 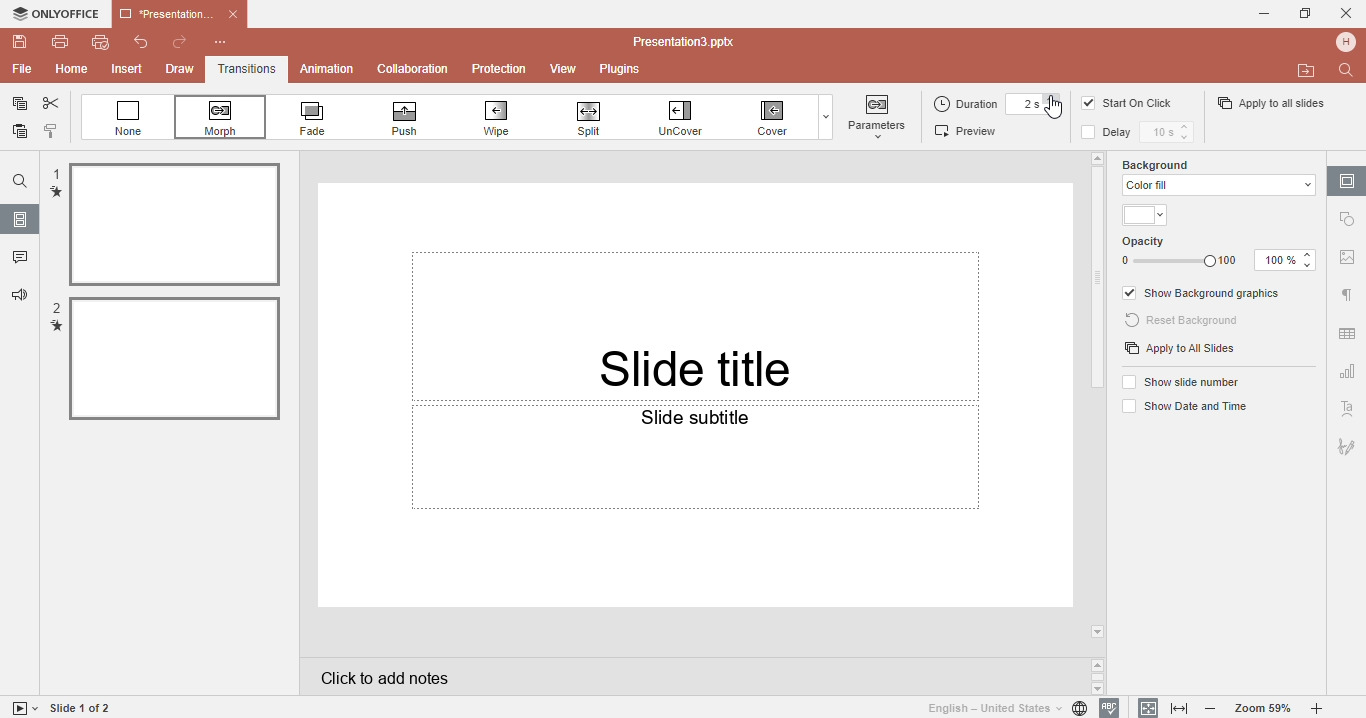 What do you see at coordinates (1346, 13) in the screenshot?
I see `Cancel` at bounding box center [1346, 13].